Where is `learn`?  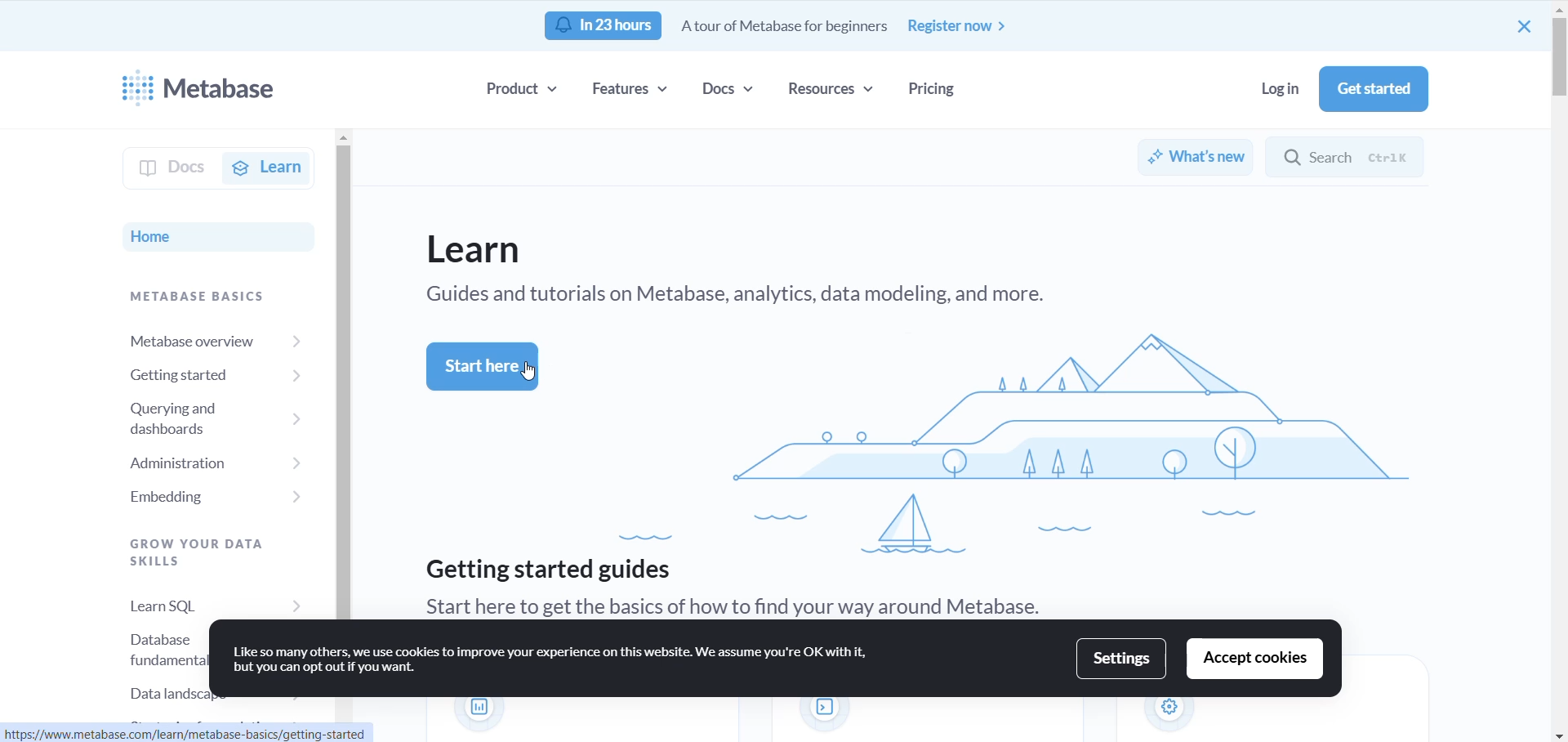
learn is located at coordinates (481, 249).